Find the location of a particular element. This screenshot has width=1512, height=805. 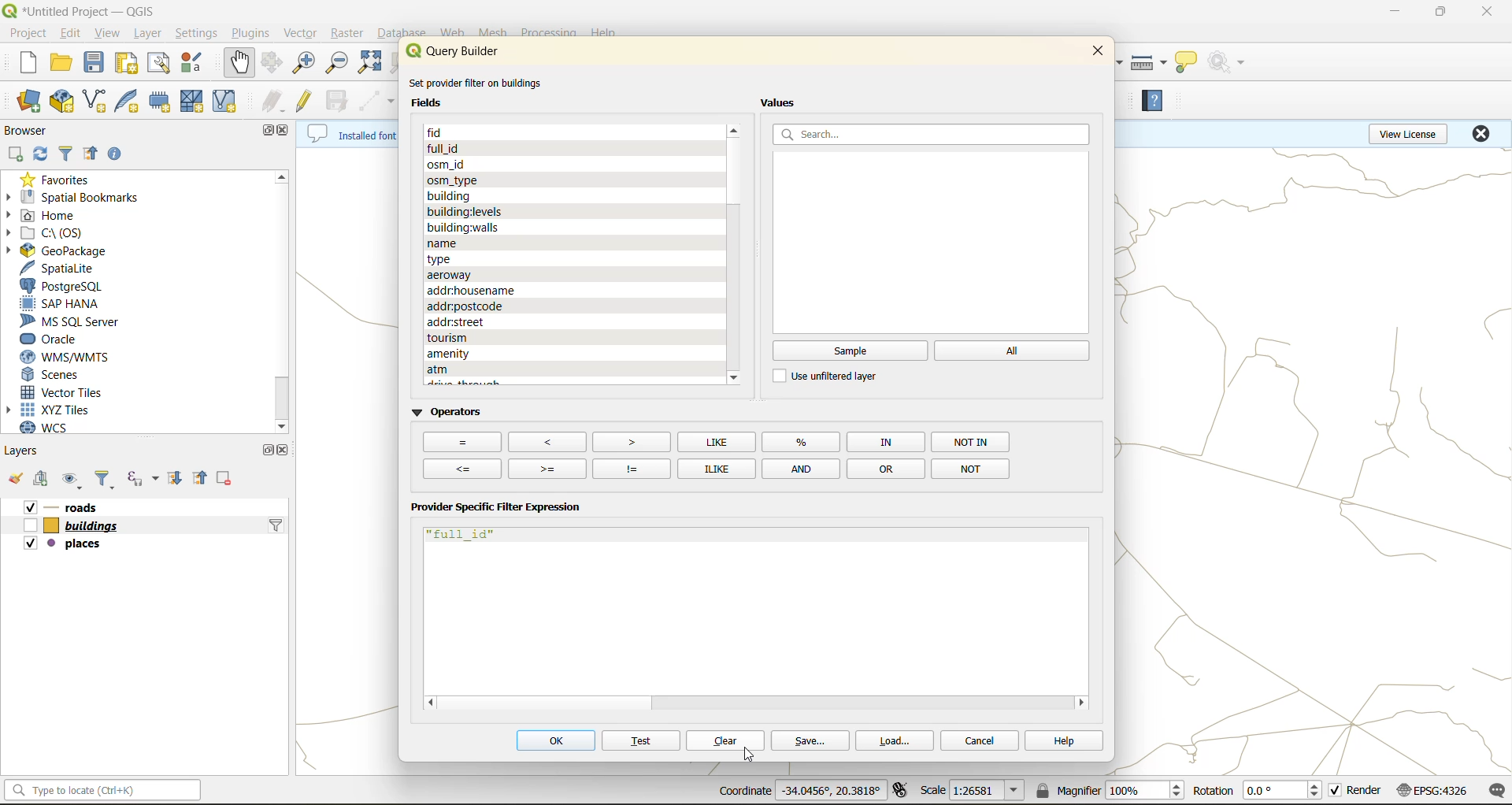

fields is located at coordinates (453, 178).